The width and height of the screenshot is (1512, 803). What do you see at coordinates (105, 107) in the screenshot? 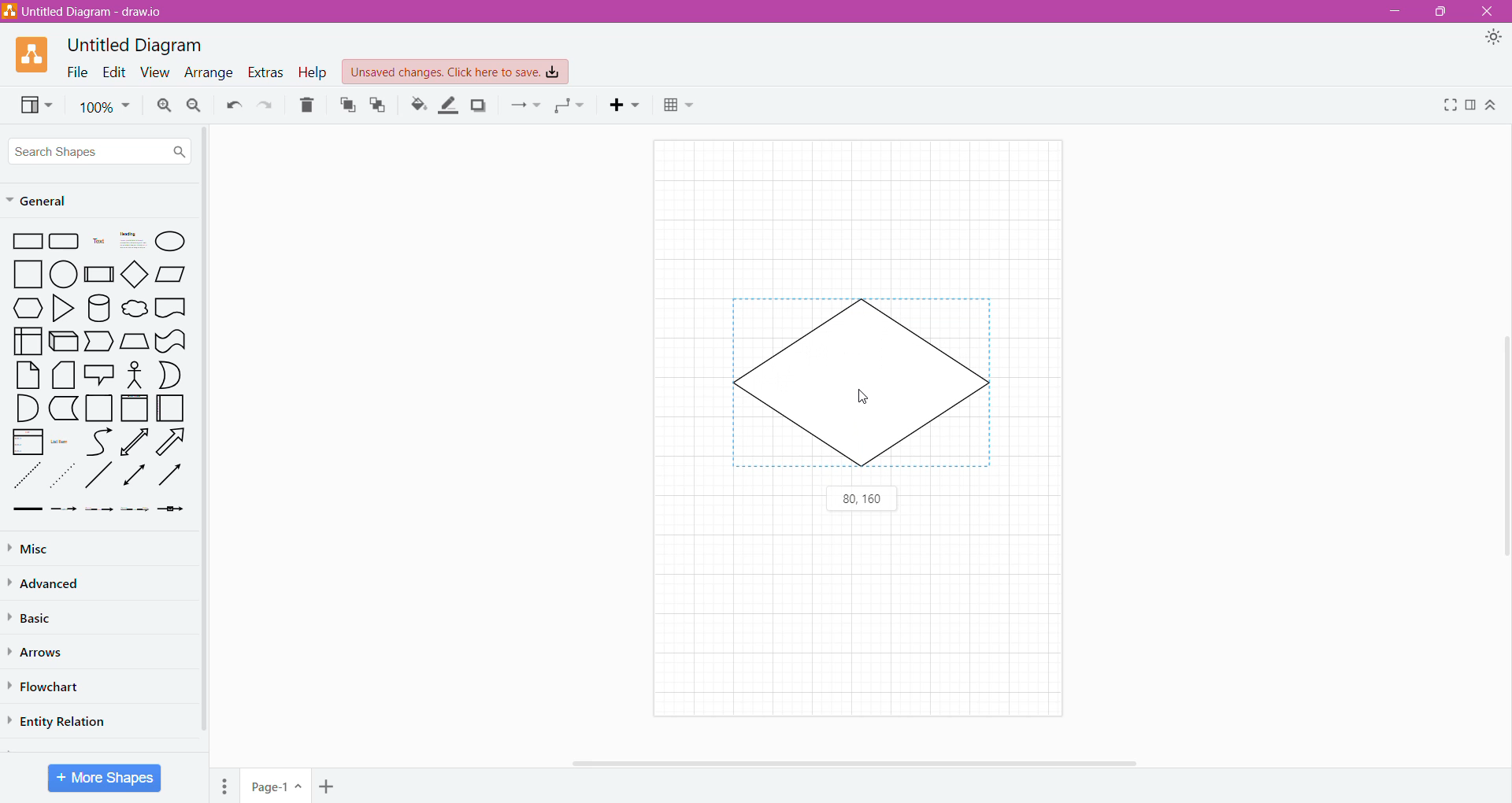
I see `Zoom 100%` at bounding box center [105, 107].